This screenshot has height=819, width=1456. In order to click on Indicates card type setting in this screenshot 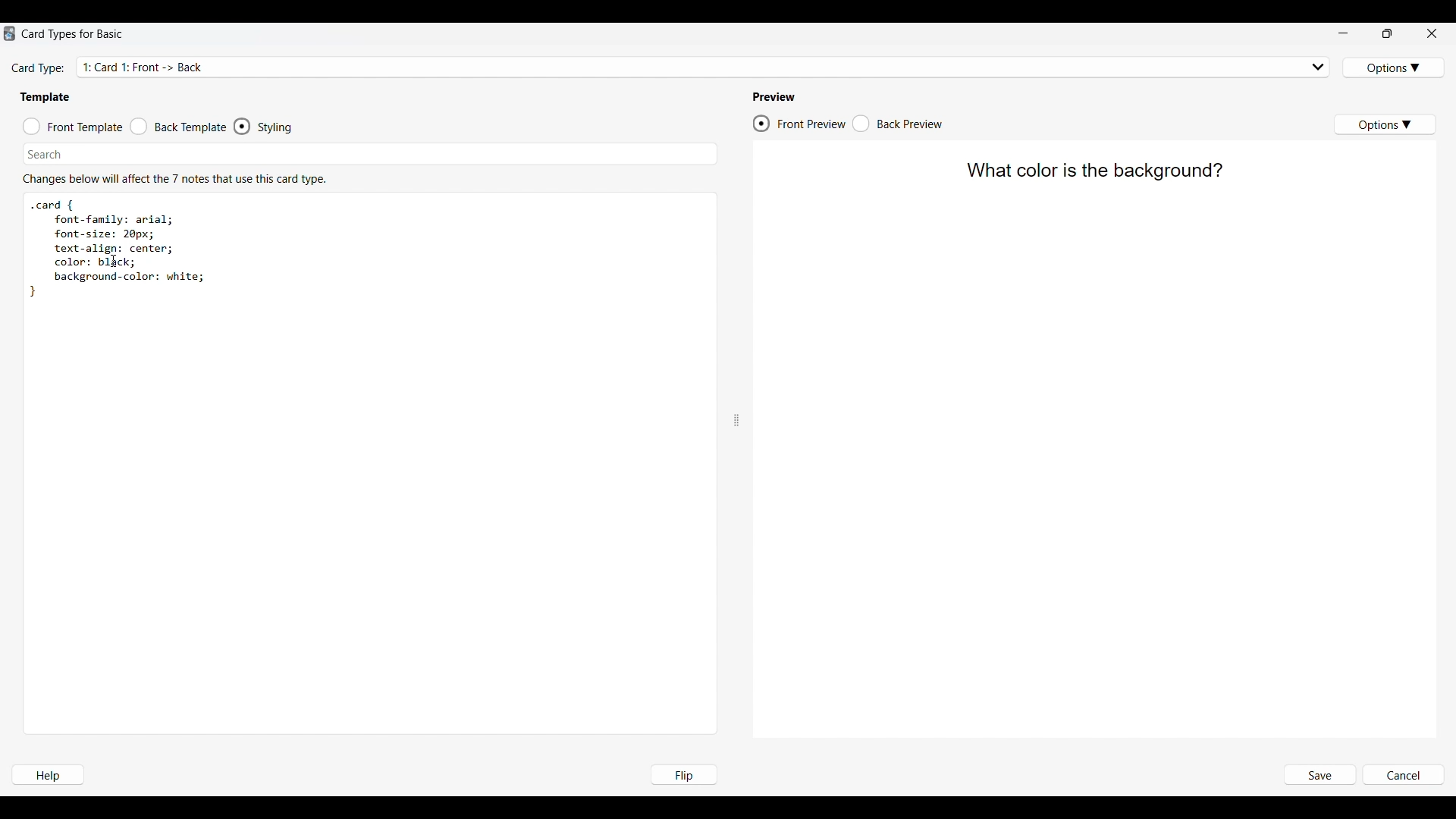, I will do `click(39, 69)`.